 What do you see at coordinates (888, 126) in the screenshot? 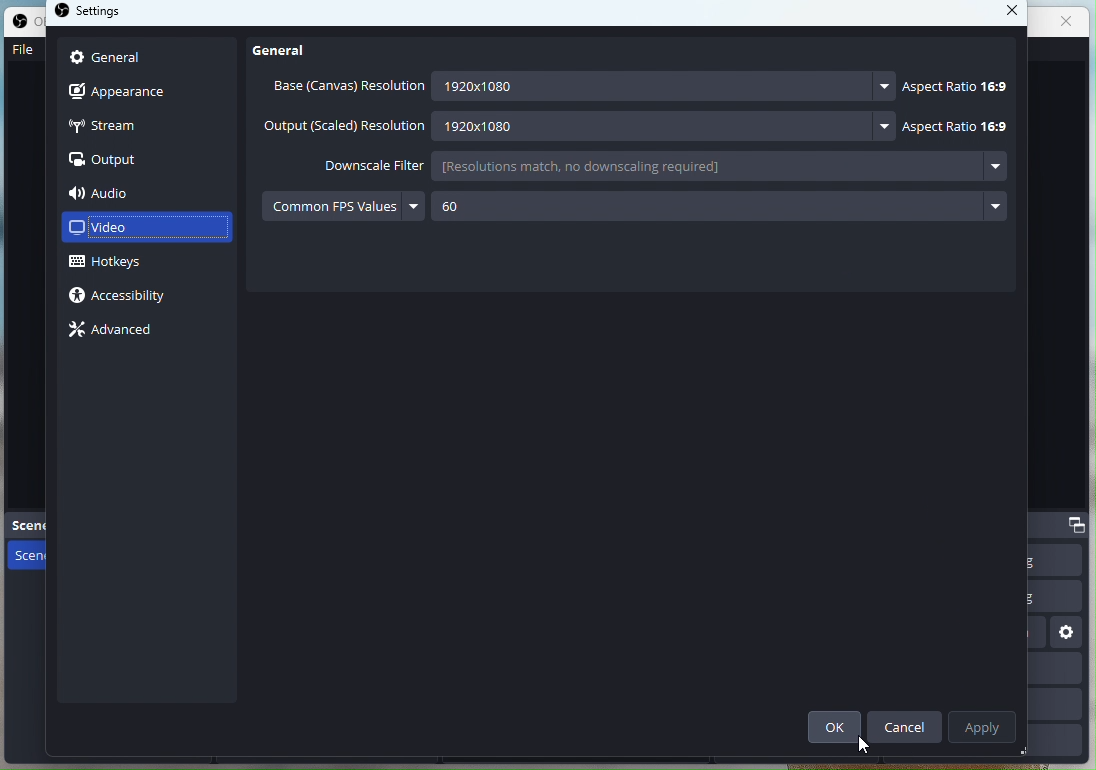
I see `more options` at bounding box center [888, 126].